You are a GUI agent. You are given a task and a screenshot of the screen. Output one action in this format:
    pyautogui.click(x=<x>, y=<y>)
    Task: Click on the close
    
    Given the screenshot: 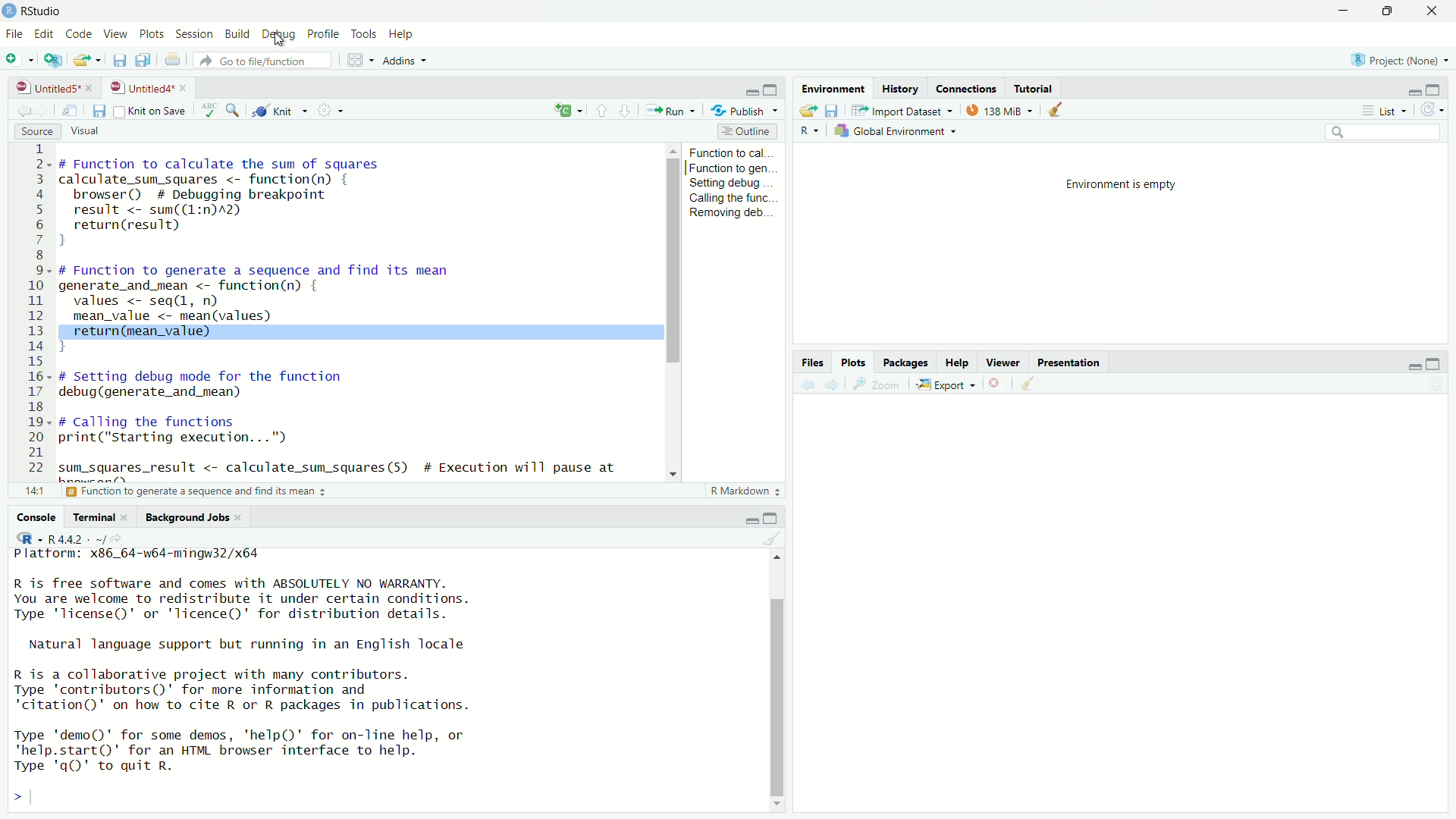 What is the action you would take?
    pyautogui.click(x=187, y=88)
    